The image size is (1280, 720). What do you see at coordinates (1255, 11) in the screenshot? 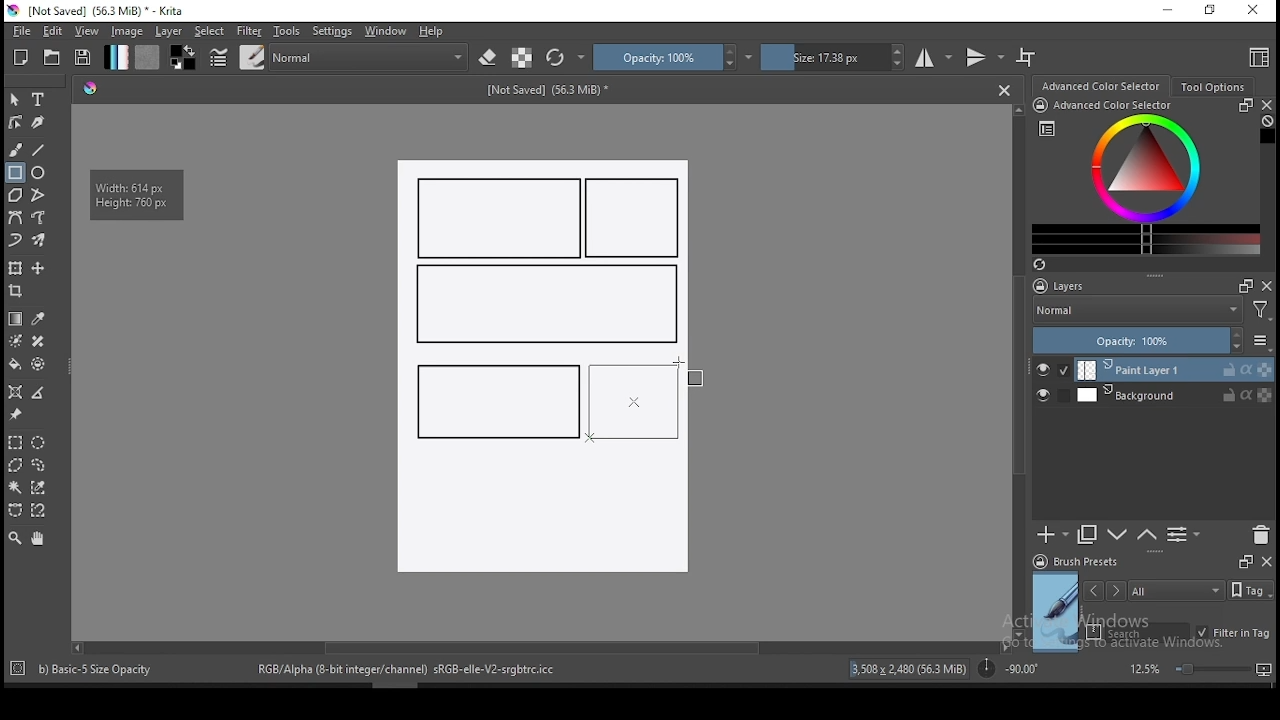
I see ` close window` at bounding box center [1255, 11].